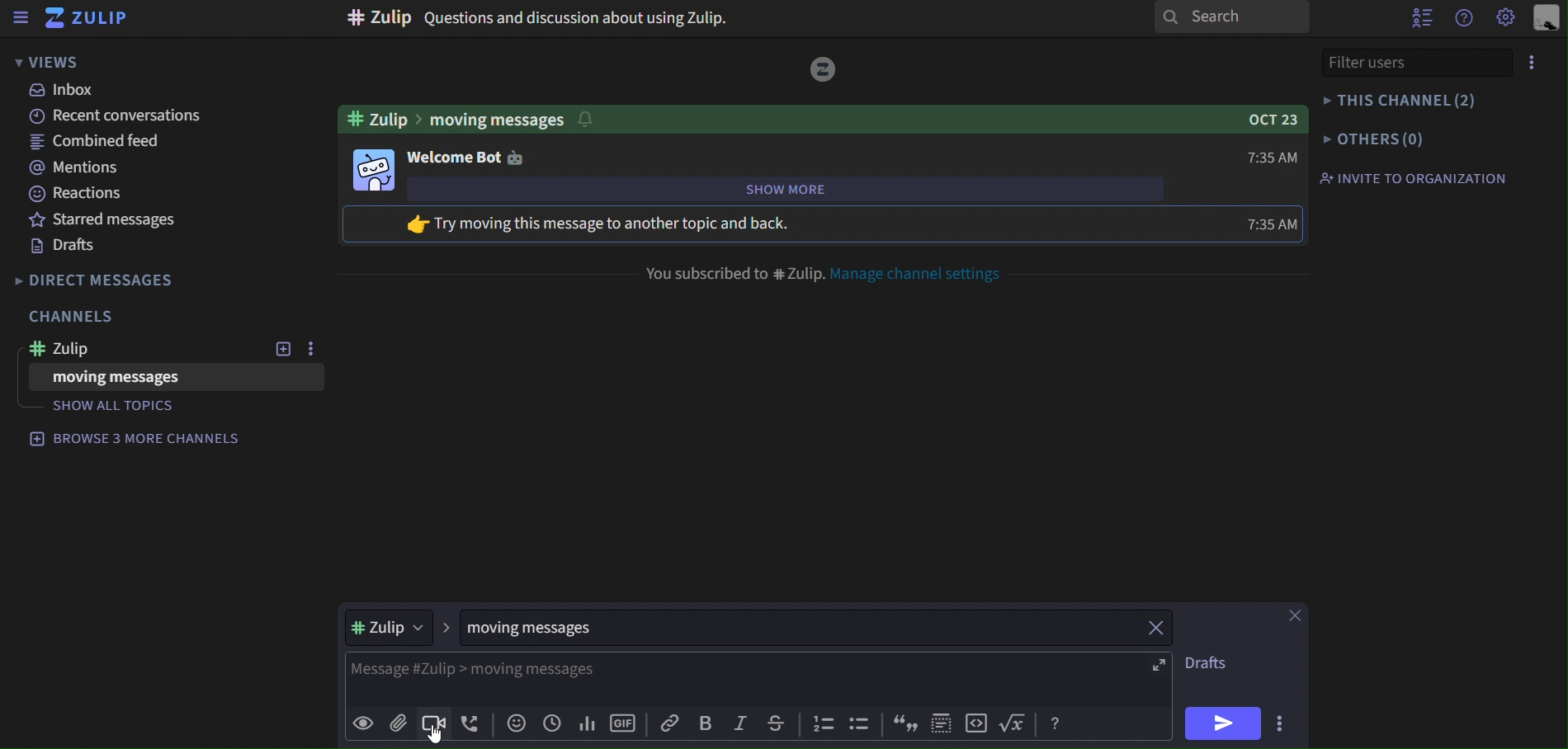  Describe the element at coordinates (128, 379) in the screenshot. I see `moving messages` at that location.